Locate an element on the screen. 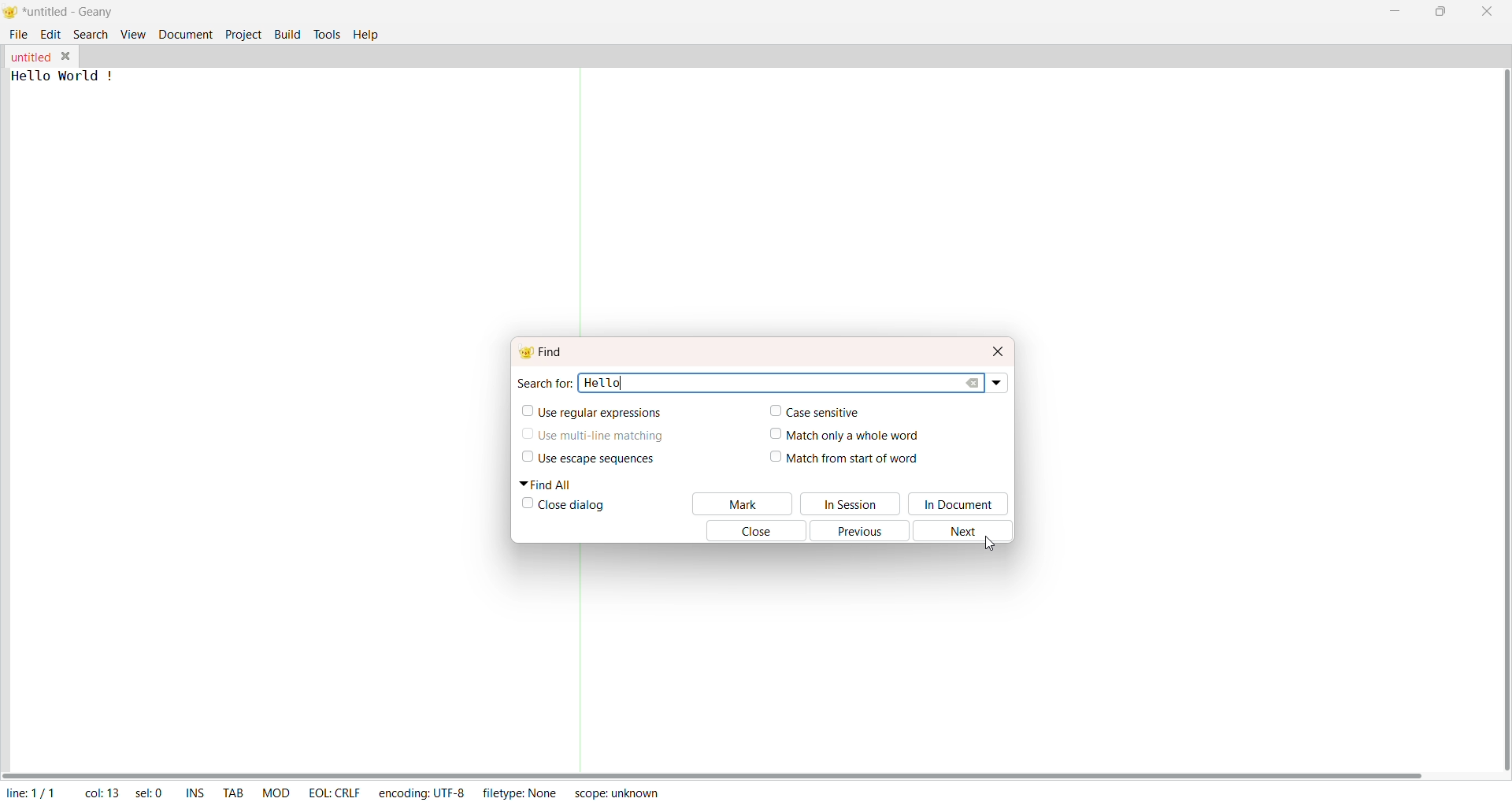 This screenshot has height=802, width=1512. Clear All is located at coordinates (976, 383).